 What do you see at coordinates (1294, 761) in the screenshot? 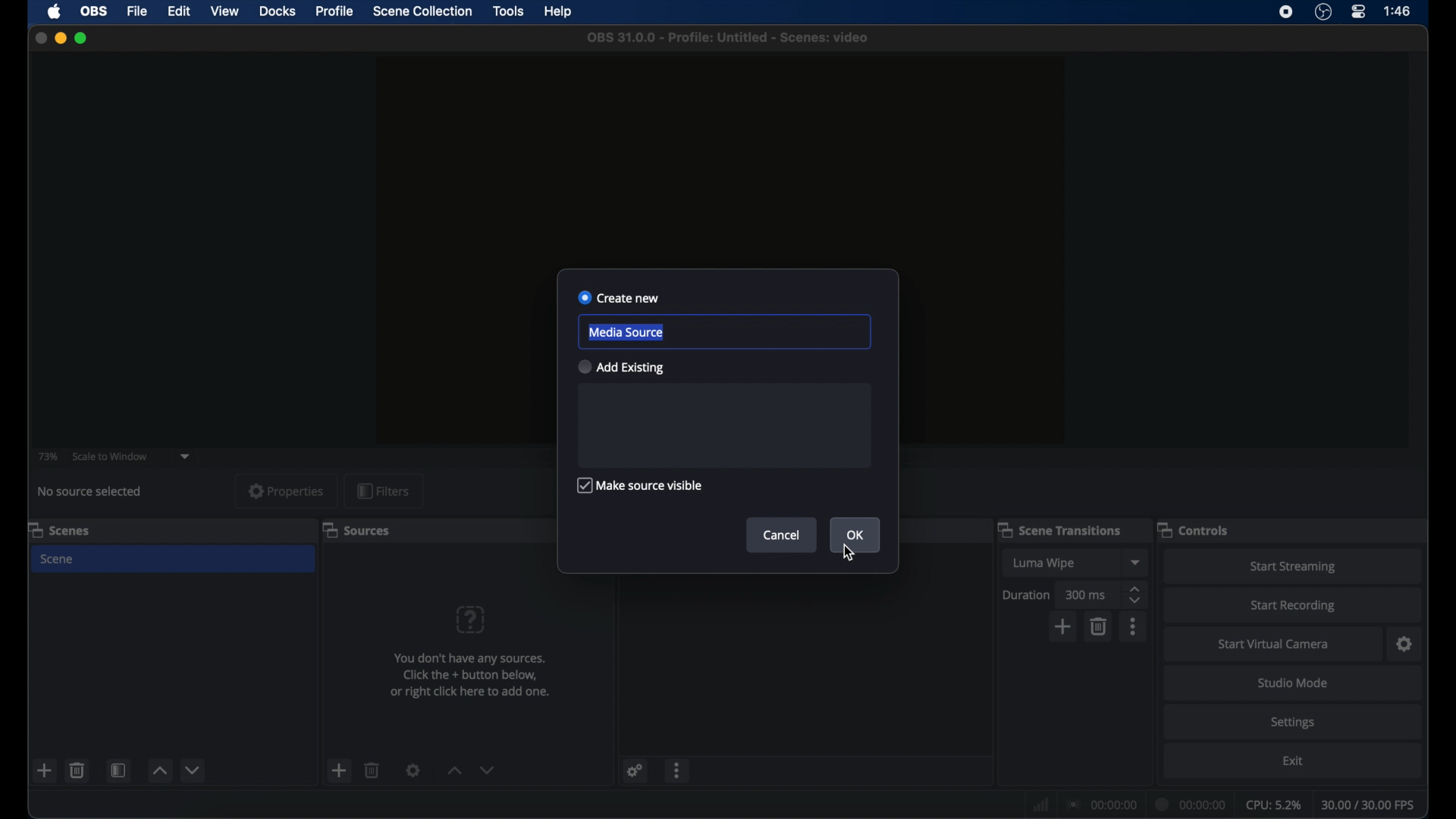
I see `exit` at bounding box center [1294, 761].